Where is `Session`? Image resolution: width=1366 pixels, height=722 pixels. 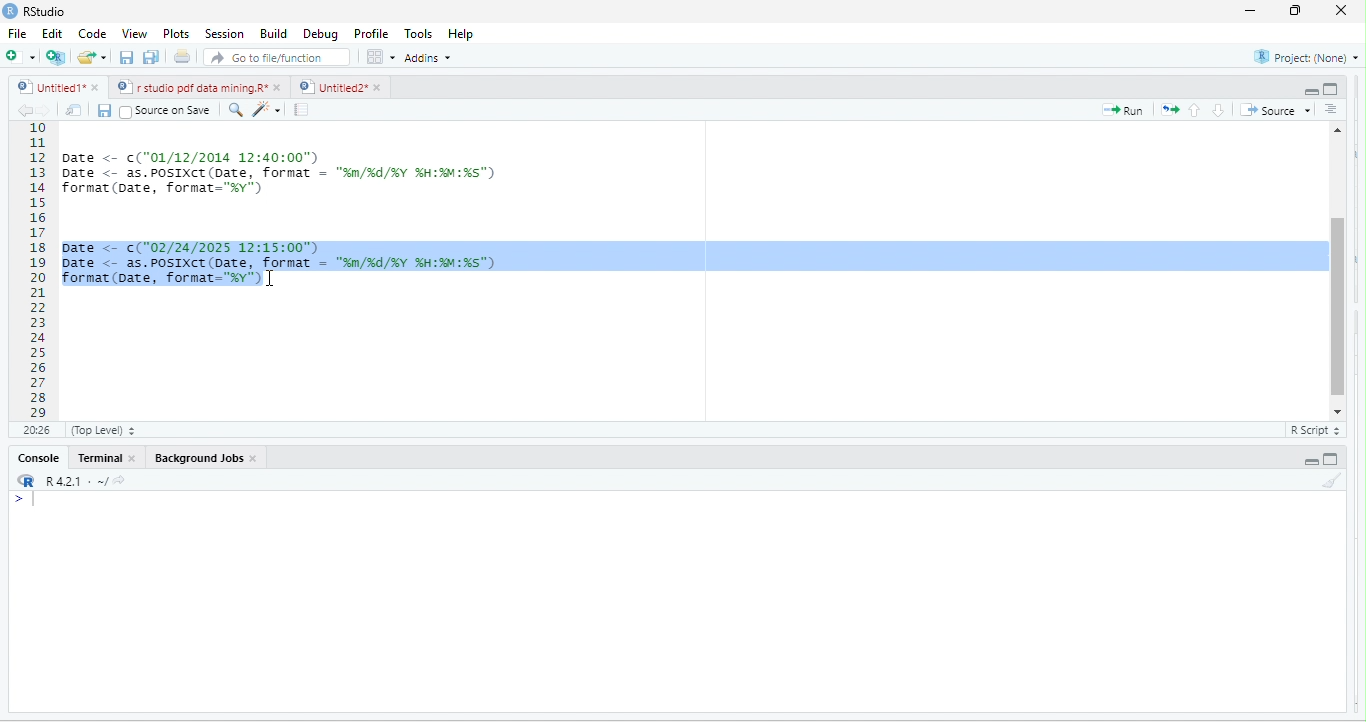 Session is located at coordinates (222, 34).